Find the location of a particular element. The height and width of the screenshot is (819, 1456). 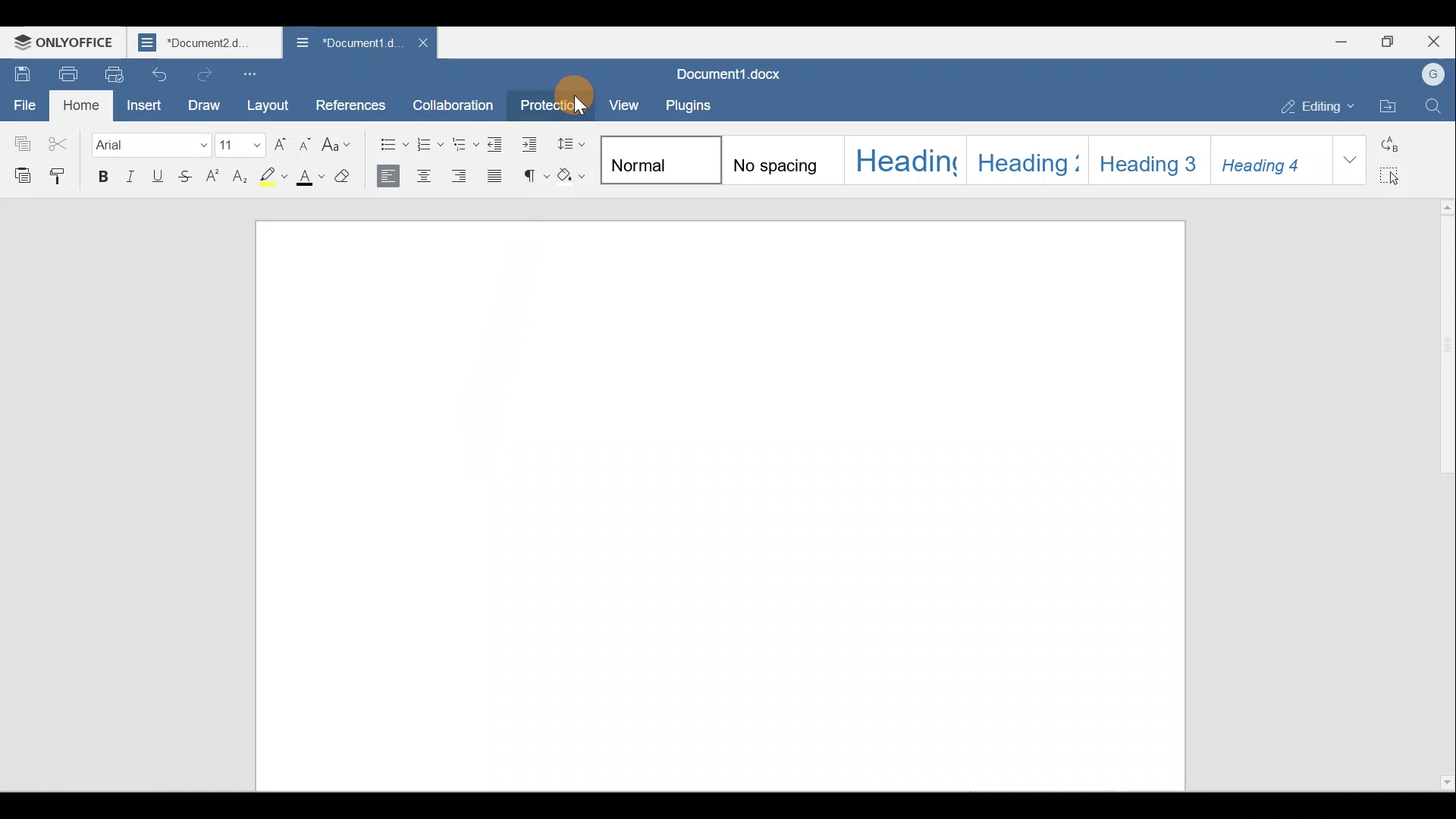

Style 6 is located at coordinates (1270, 160).